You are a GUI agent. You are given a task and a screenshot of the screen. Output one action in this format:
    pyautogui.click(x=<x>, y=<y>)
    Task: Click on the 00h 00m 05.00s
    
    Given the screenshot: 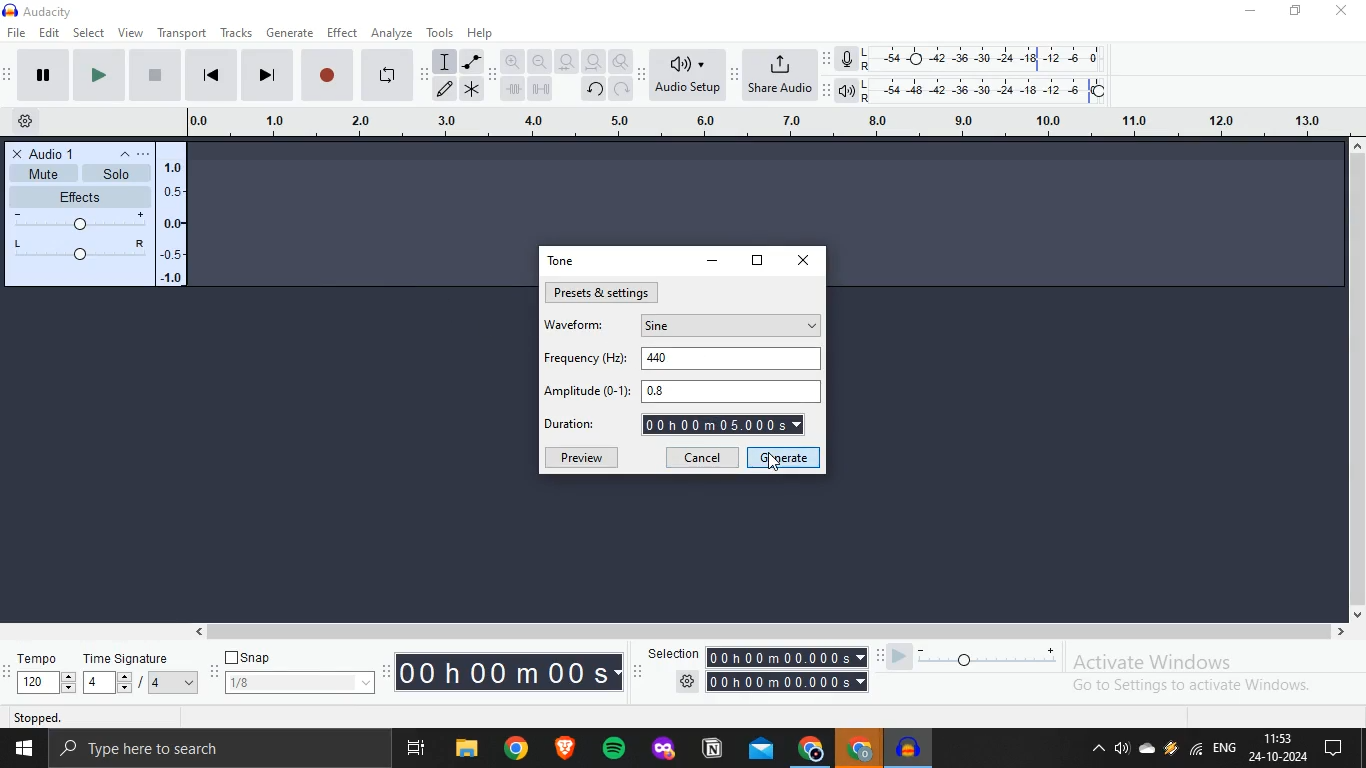 What is the action you would take?
    pyautogui.click(x=723, y=425)
    